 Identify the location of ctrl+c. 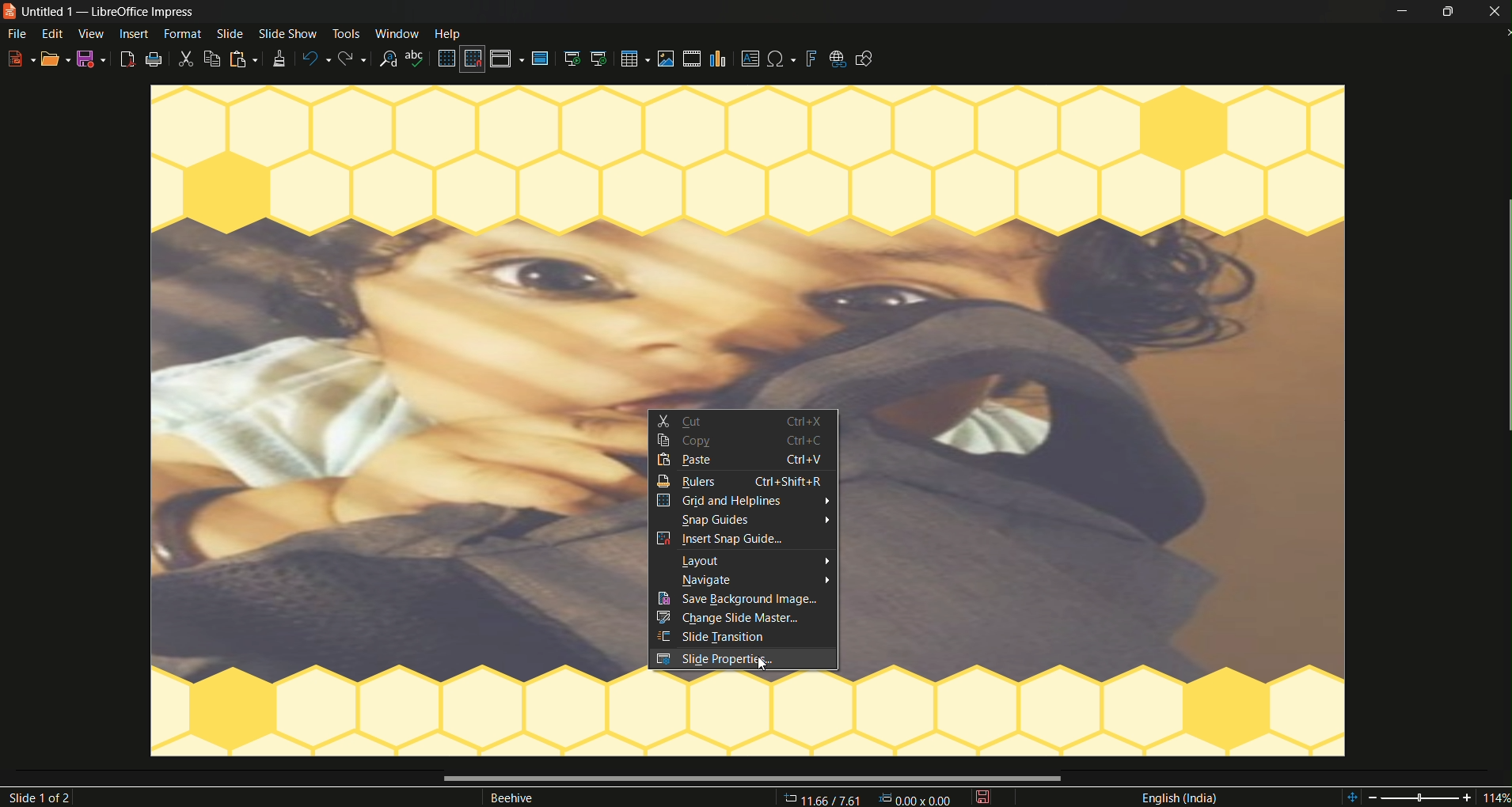
(805, 440).